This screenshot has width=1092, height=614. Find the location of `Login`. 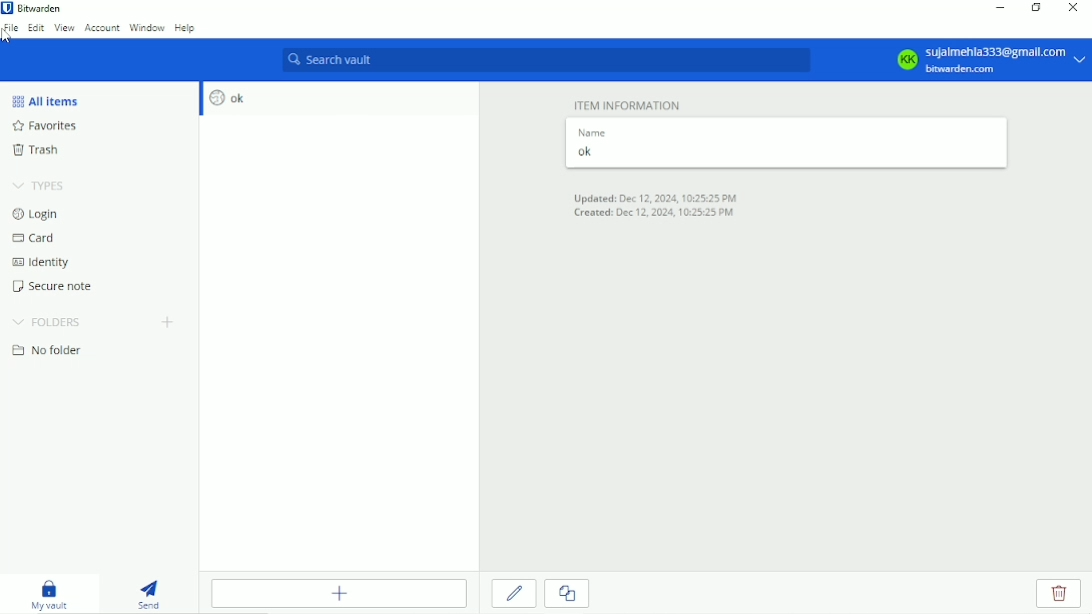

Login is located at coordinates (36, 214).